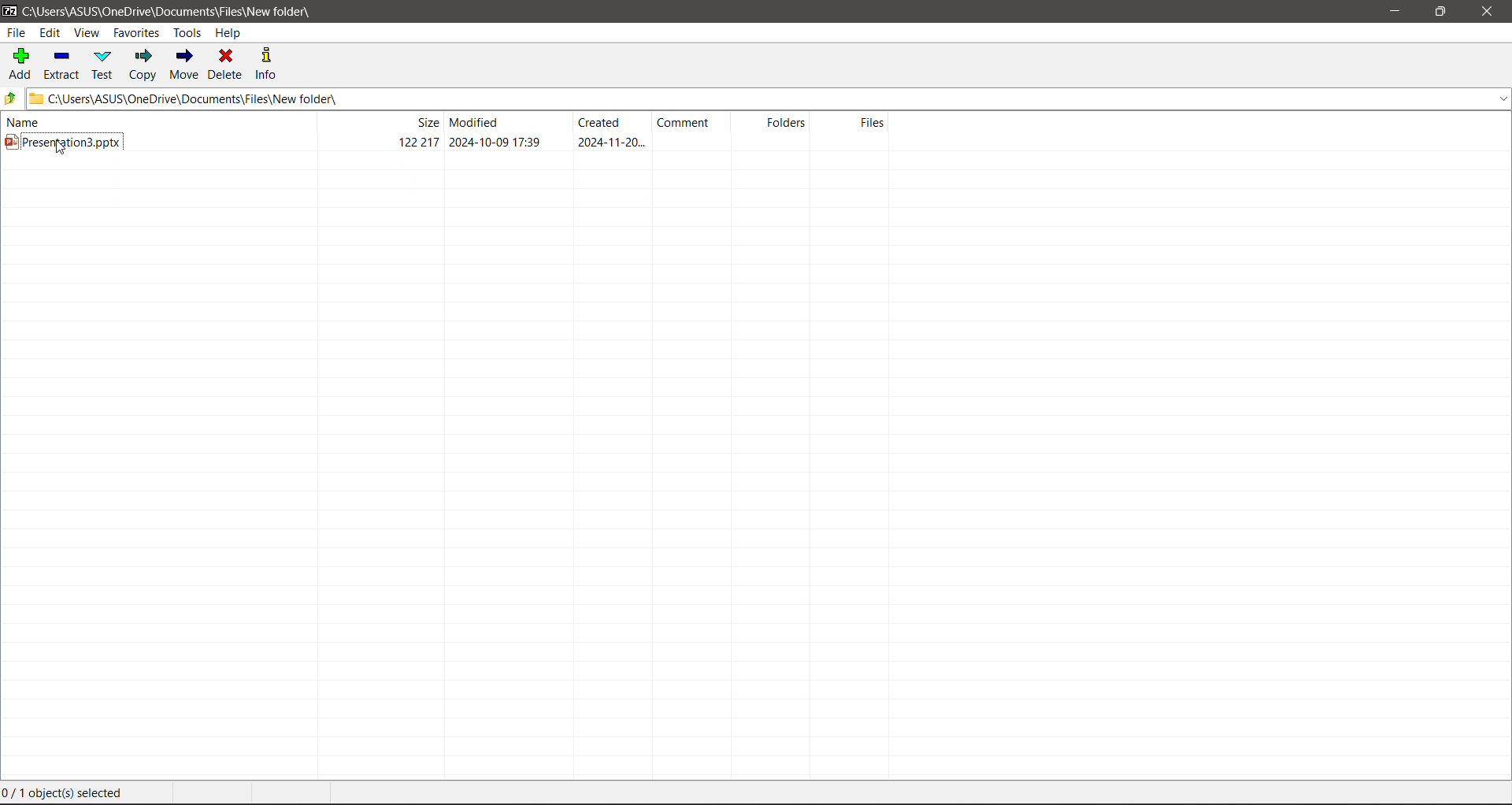  Describe the element at coordinates (1394, 12) in the screenshot. I see `Minimize` at that location.